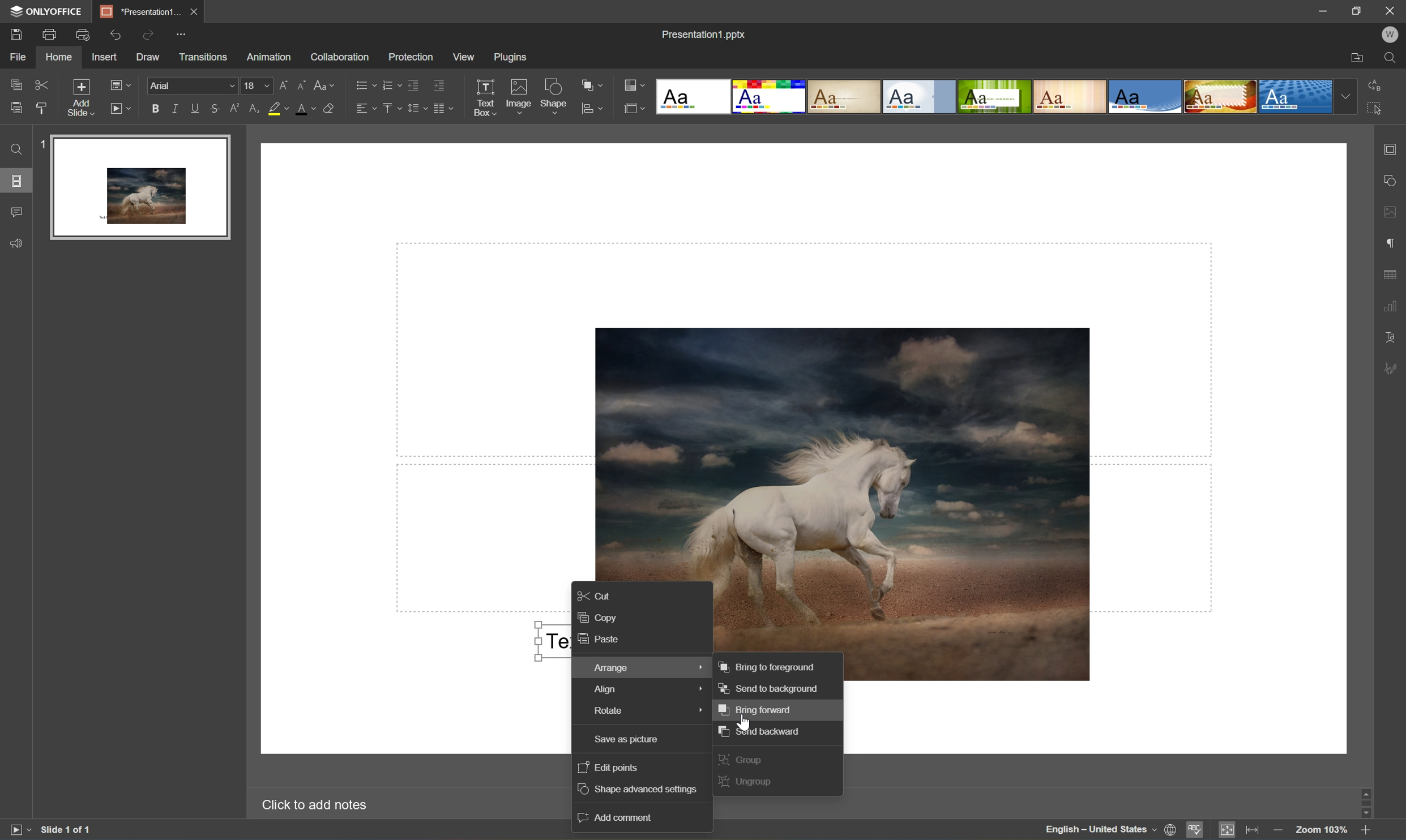 Image resolution: width=1406 pixels, height=840 pixels. What do you see at coordinates (1172, 831) in the screenshot?
I see `Set document language` at bounding box center [1172, 831].